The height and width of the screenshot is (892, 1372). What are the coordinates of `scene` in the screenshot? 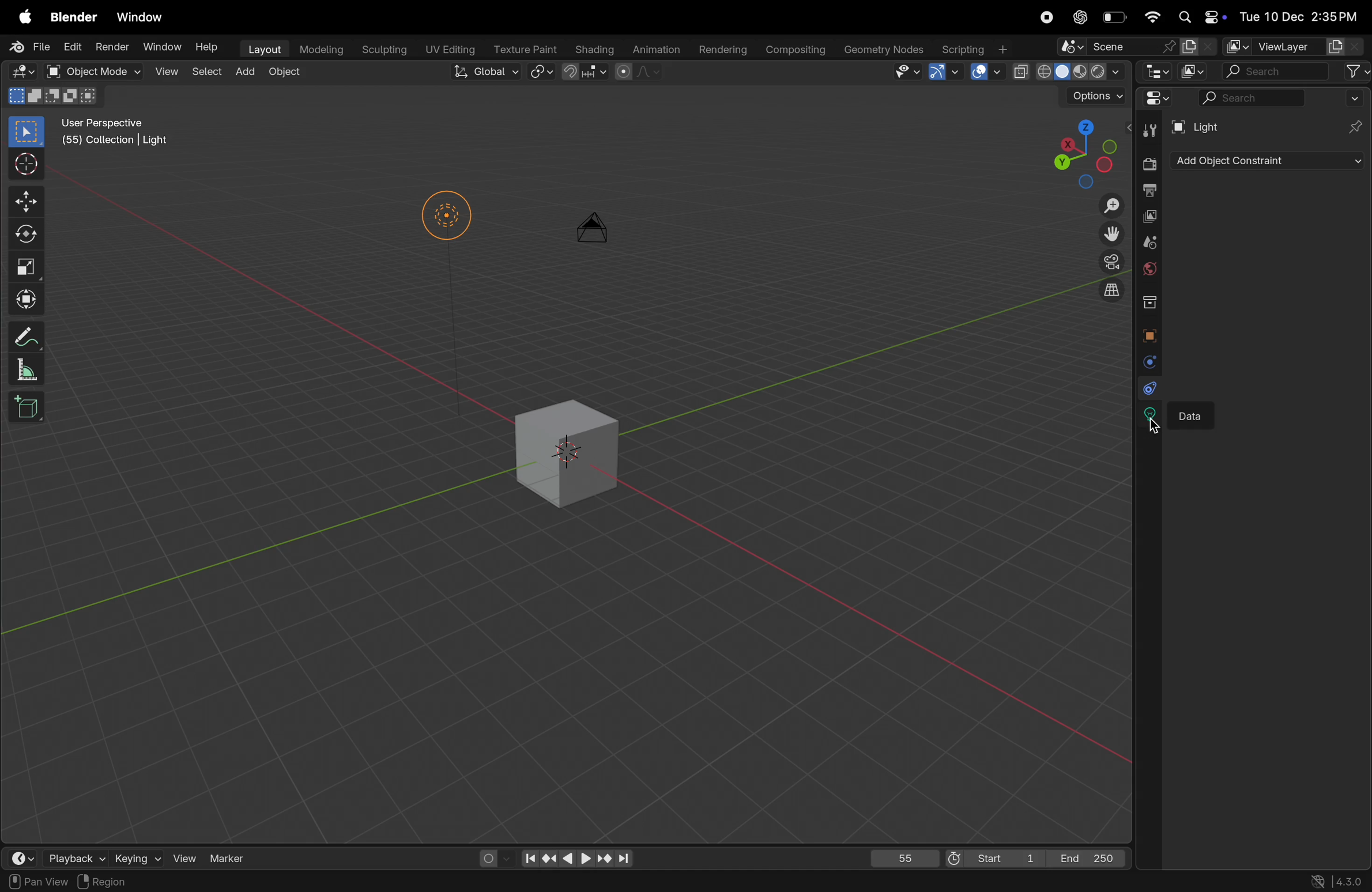 It's located at (1136, 47).